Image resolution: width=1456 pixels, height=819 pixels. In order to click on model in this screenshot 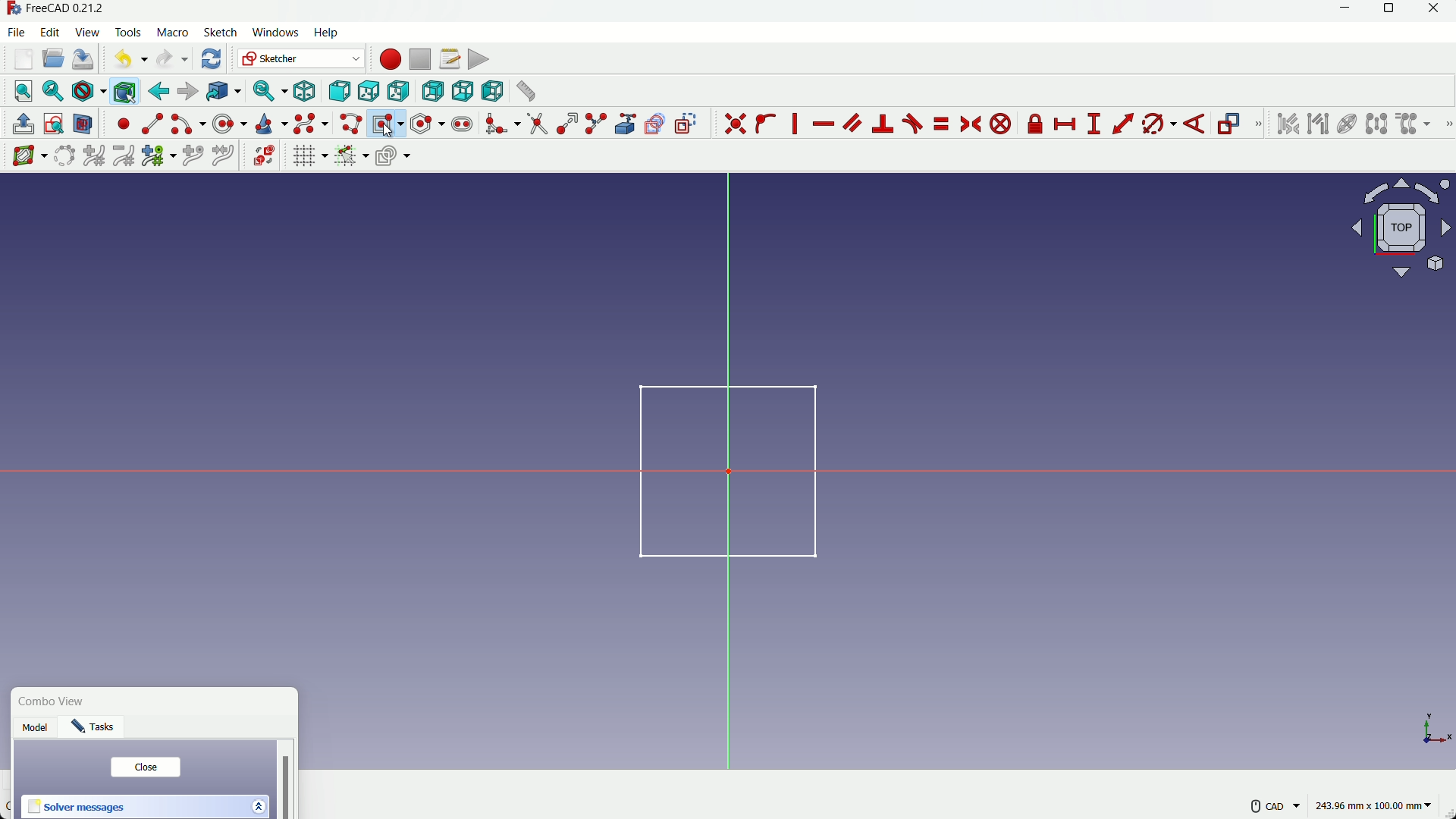, I will do `click(37, 730)`.